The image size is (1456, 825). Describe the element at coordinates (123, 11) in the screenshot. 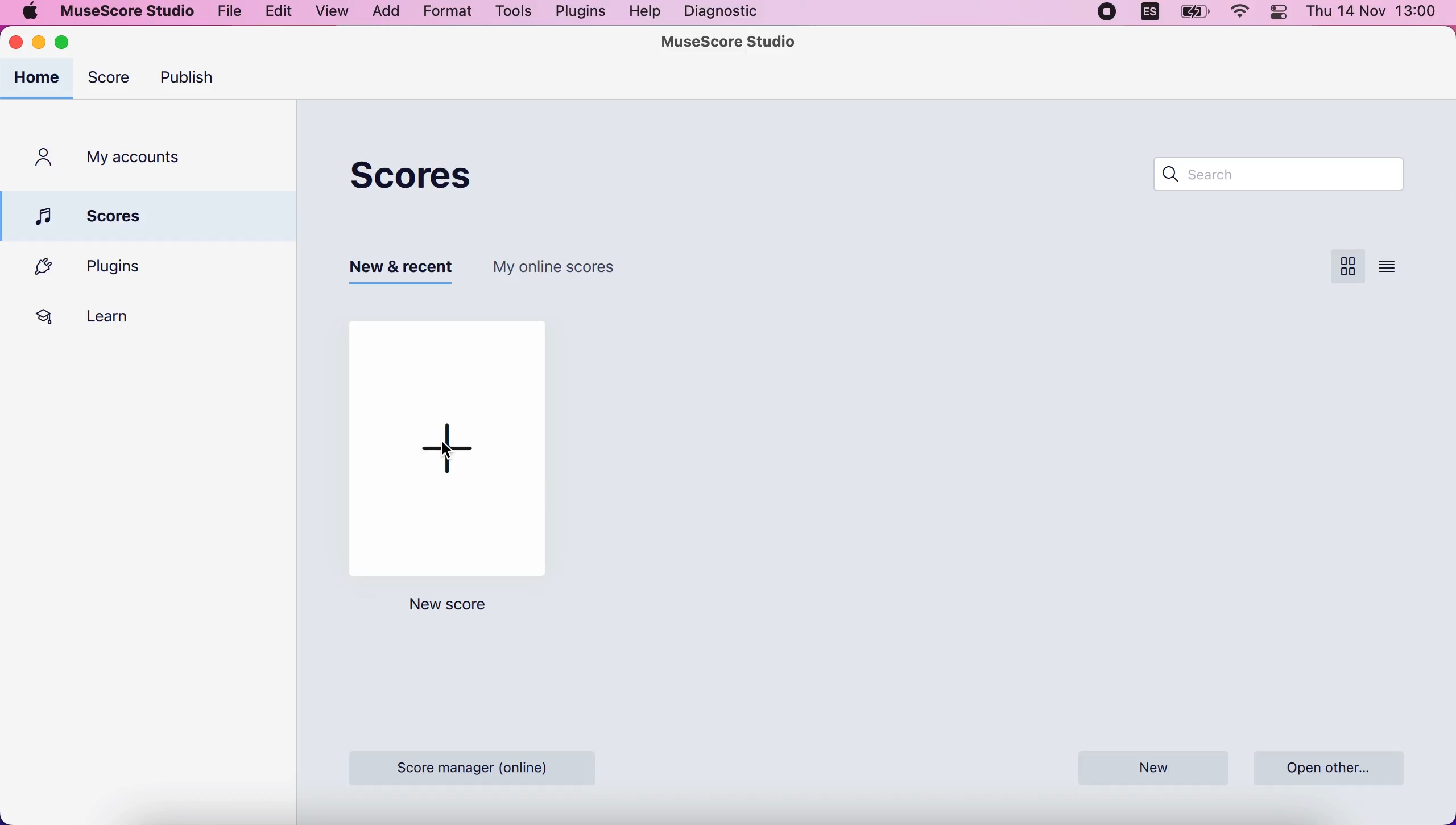

I see `musescore studio` at that location.